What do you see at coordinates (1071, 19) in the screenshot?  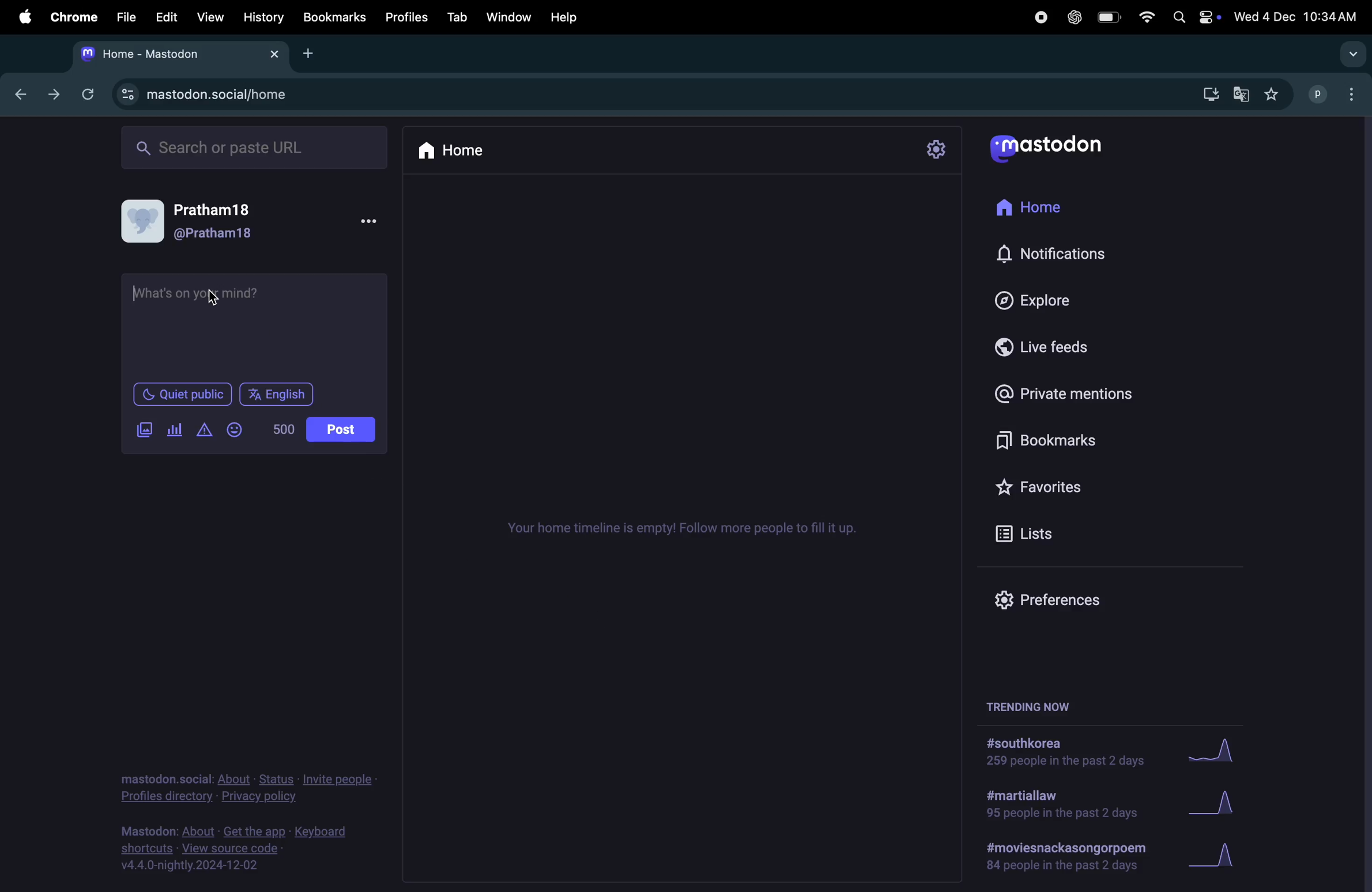 I see `chatgpt` at bounding box center [1071, 19].